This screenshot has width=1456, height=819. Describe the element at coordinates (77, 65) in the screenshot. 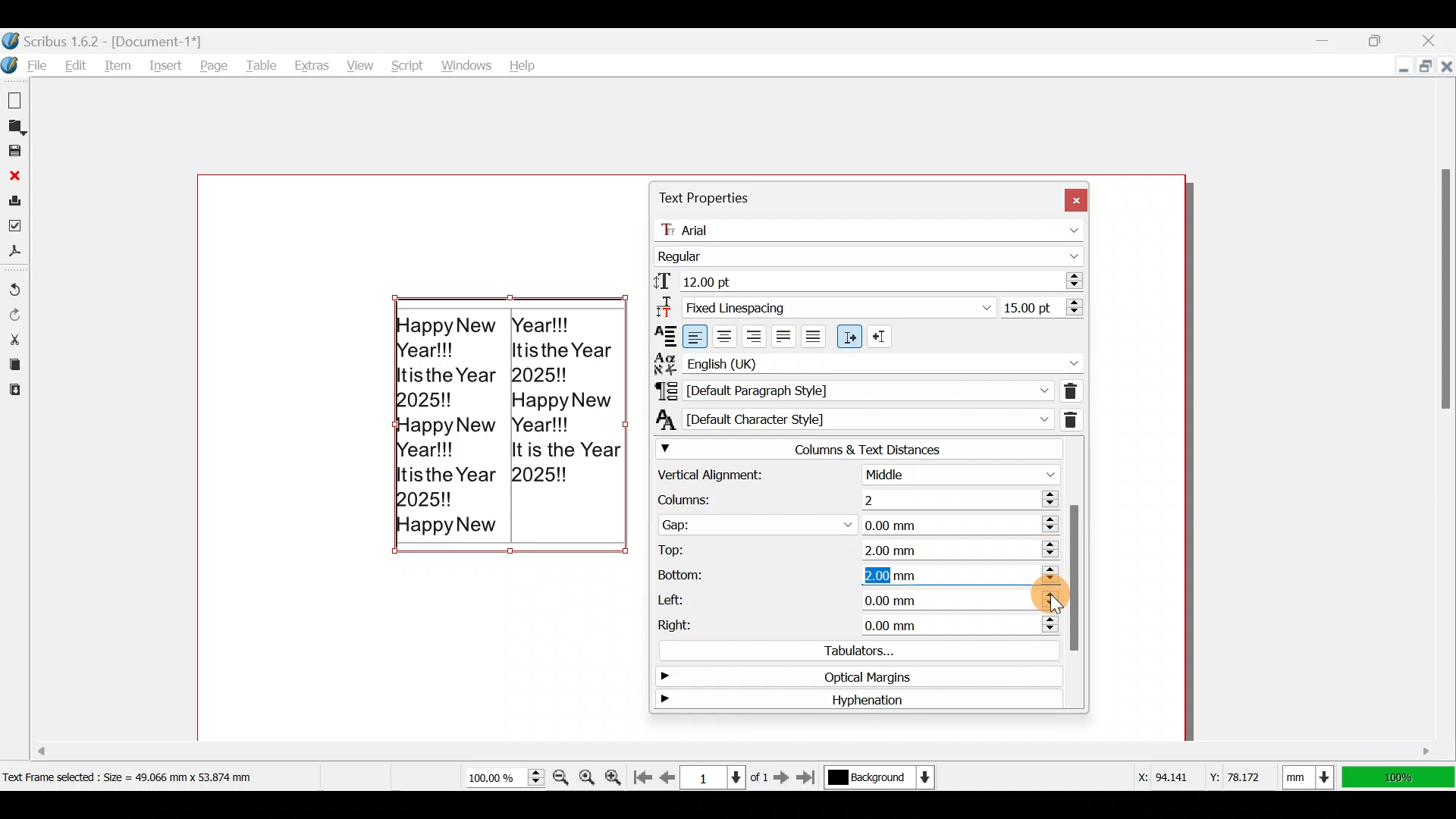

I see `Edit` at that location.